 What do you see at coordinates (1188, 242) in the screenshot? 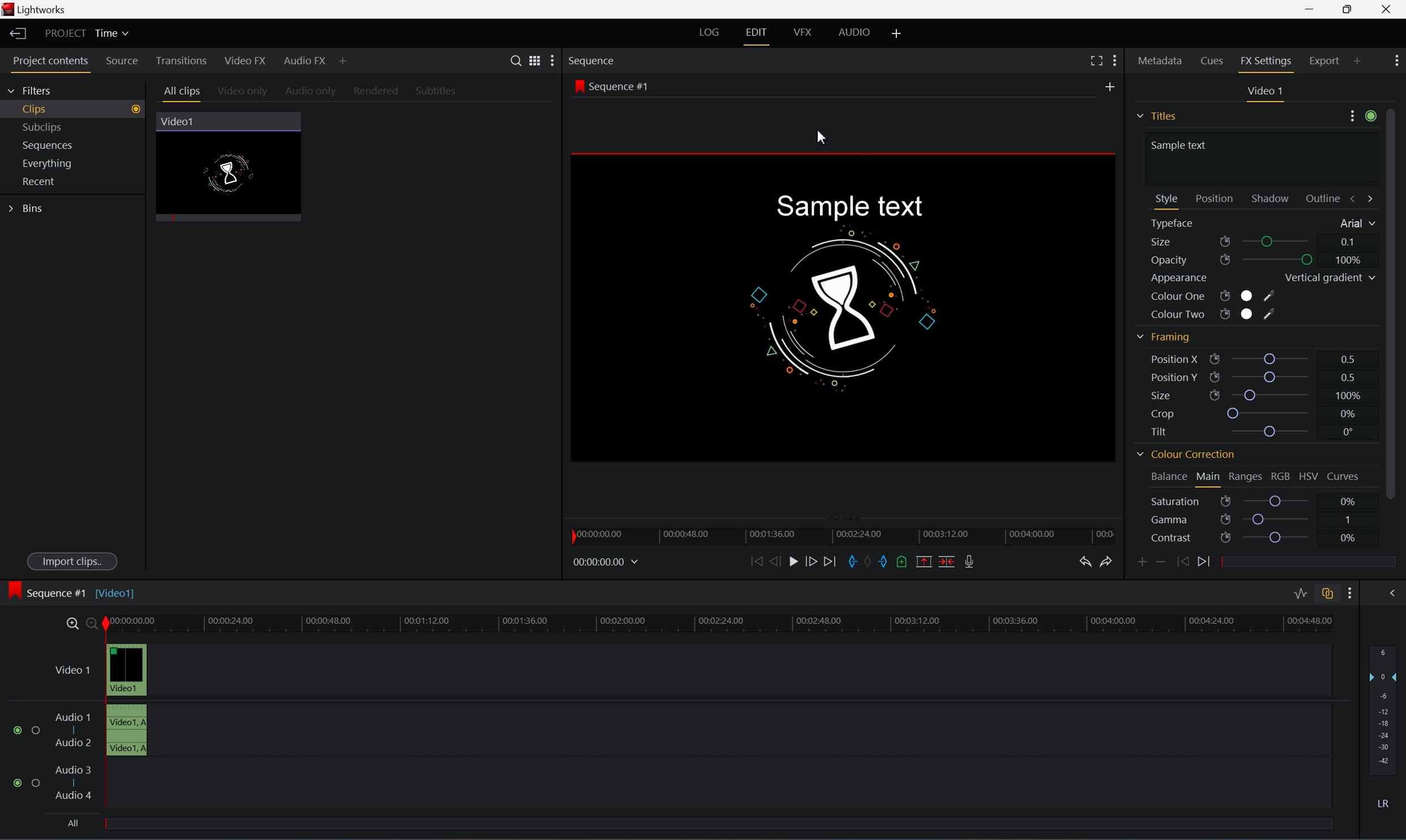
I see `size` at bounding box center [1188, 242].